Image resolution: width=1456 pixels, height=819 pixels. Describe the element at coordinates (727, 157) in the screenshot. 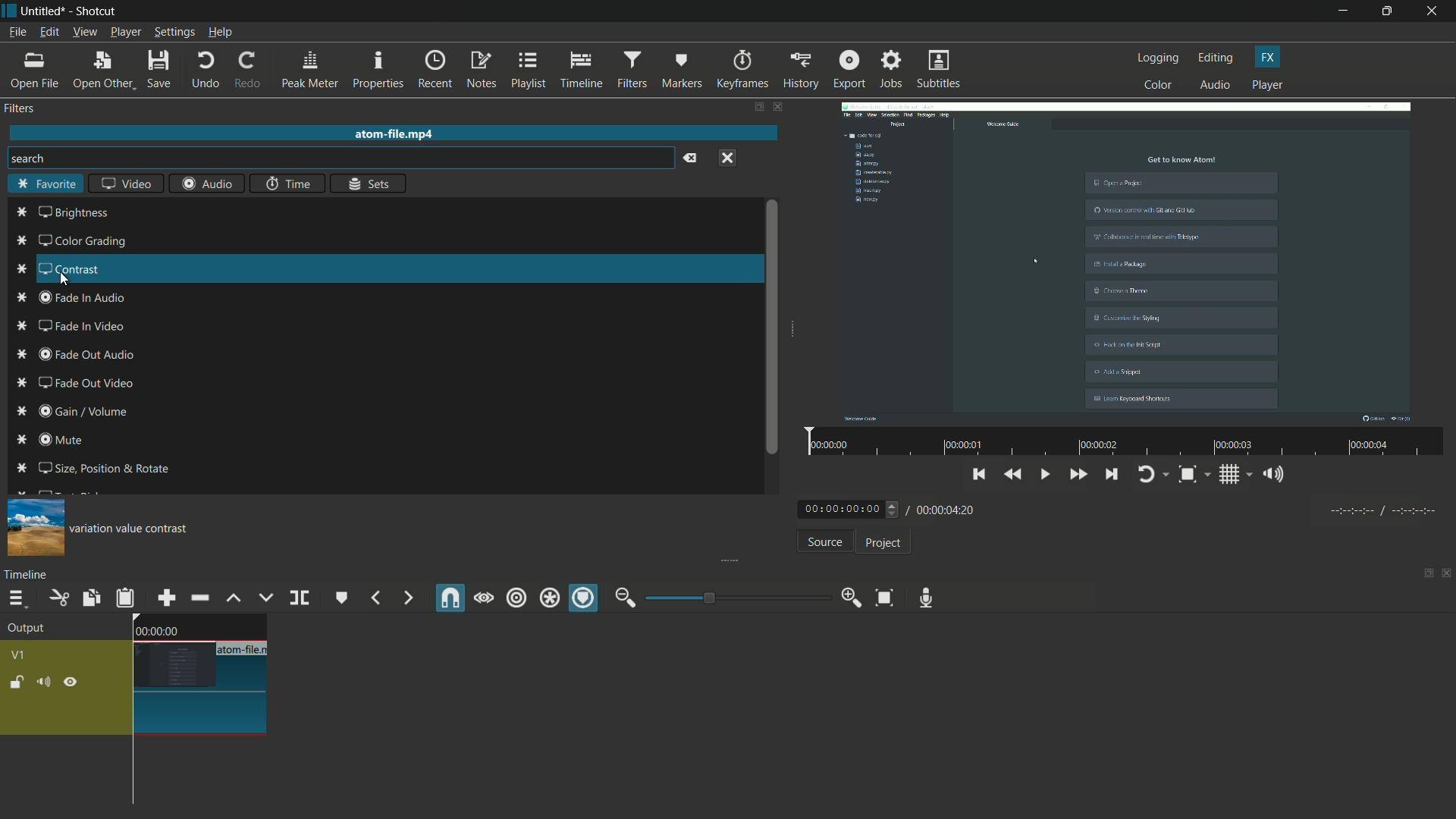

I see `close menu` at that location.